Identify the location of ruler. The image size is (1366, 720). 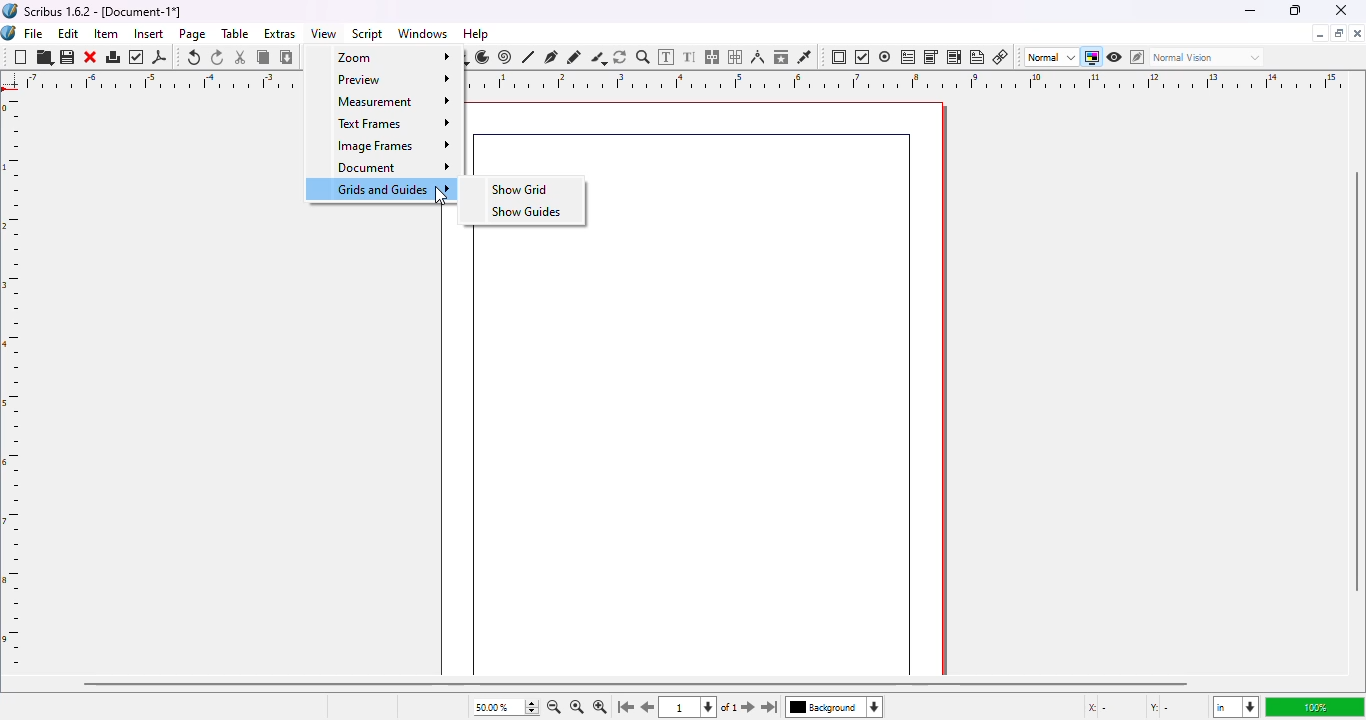
(15, 382).